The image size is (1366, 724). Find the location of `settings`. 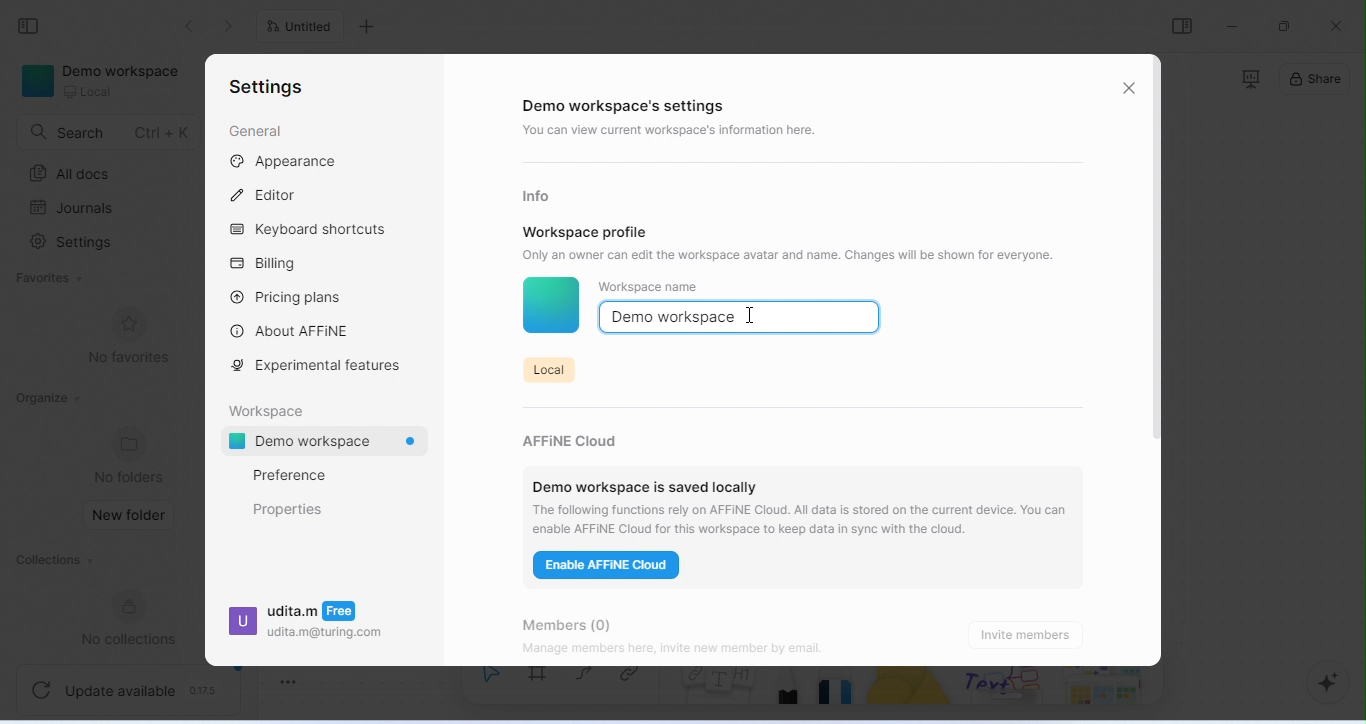

settings is located at coordinates (266, 88).